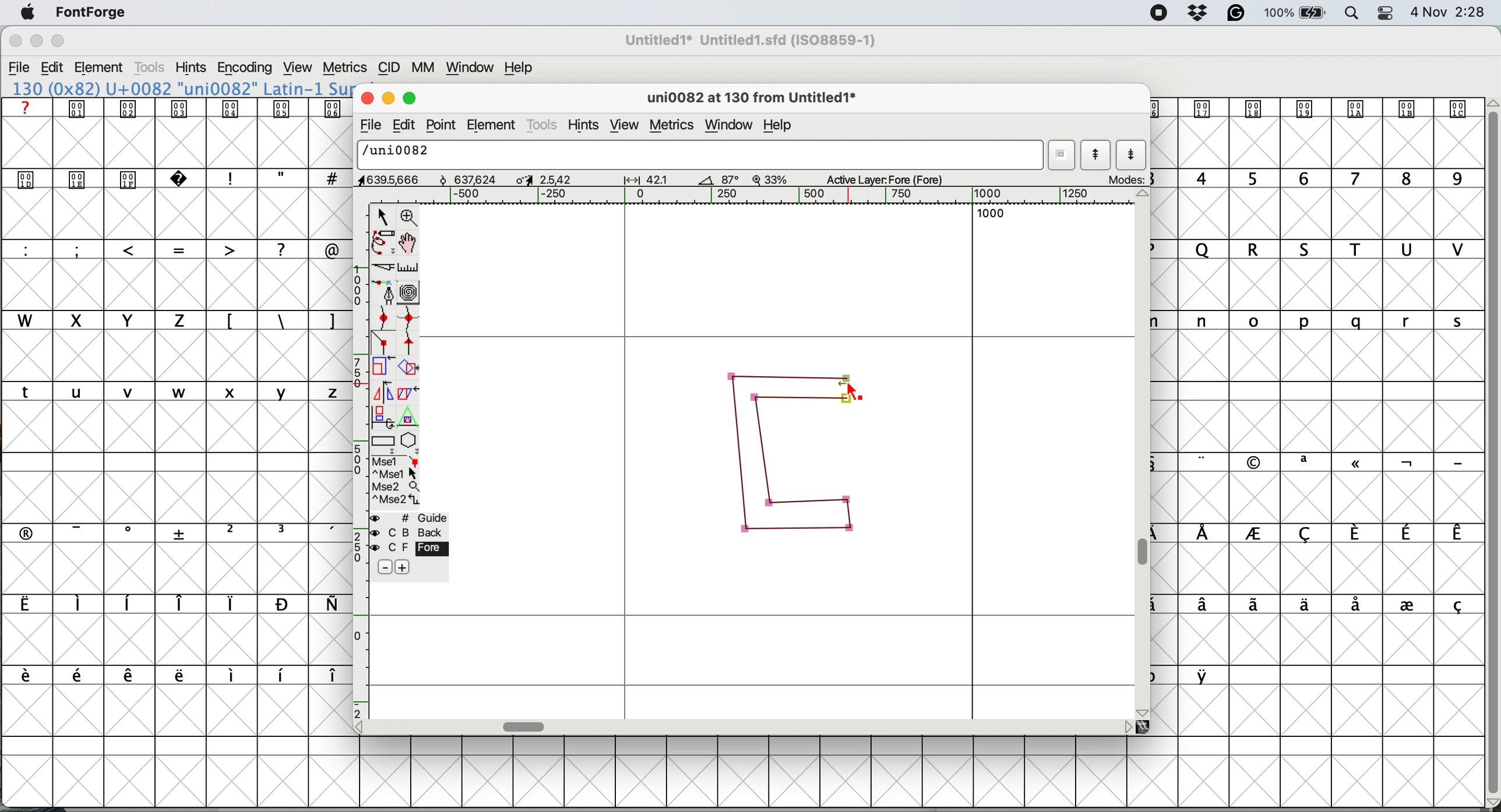 This screenshot has width=1501, height=812. I want to click on symbol, so click(1313, 108).